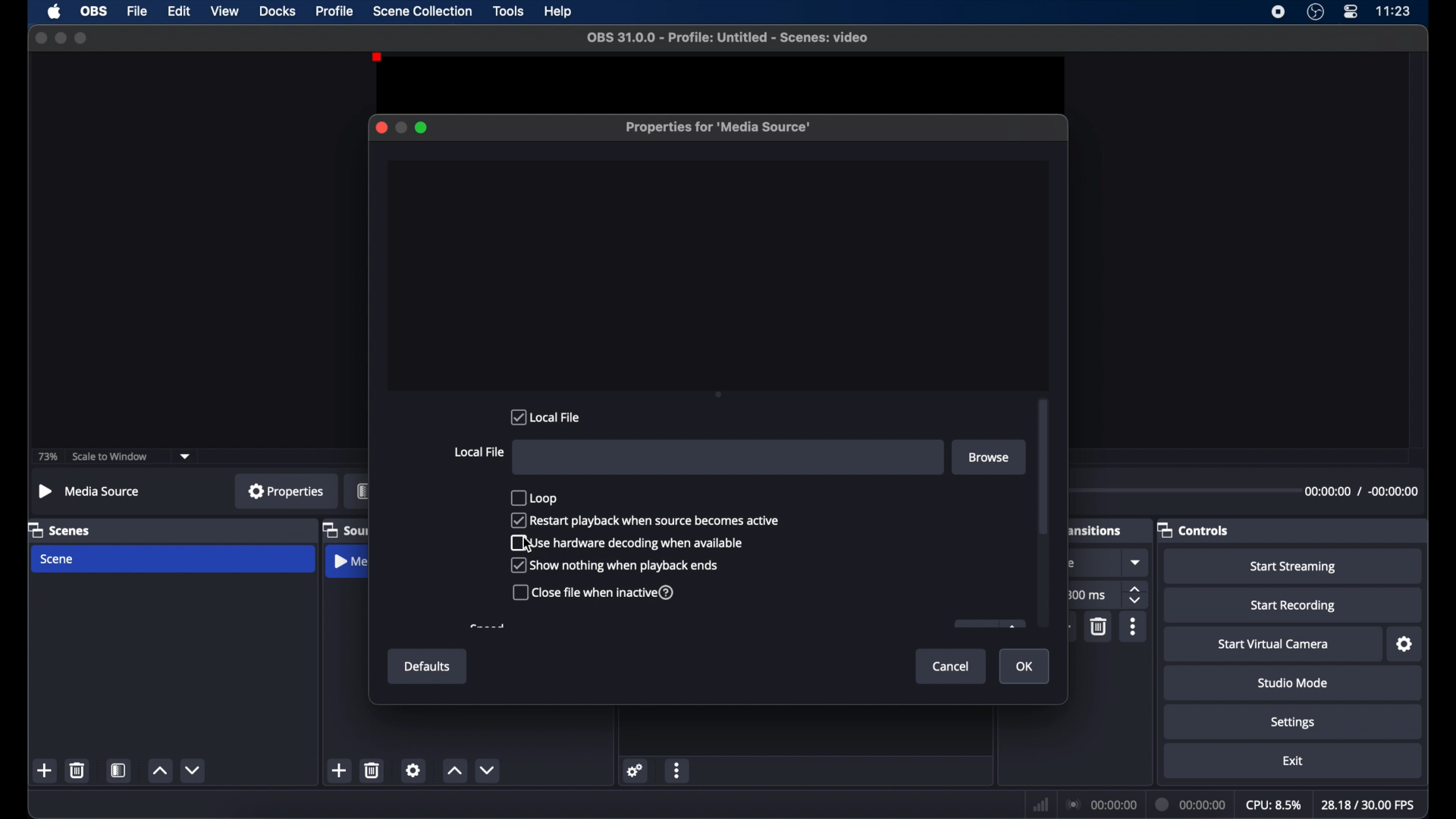 The height and width of the screenshot is (819, 1456). What do you see at coordinates (428, 667) in the screenshot?
I see `defaults` at bounding box center [428, 667].